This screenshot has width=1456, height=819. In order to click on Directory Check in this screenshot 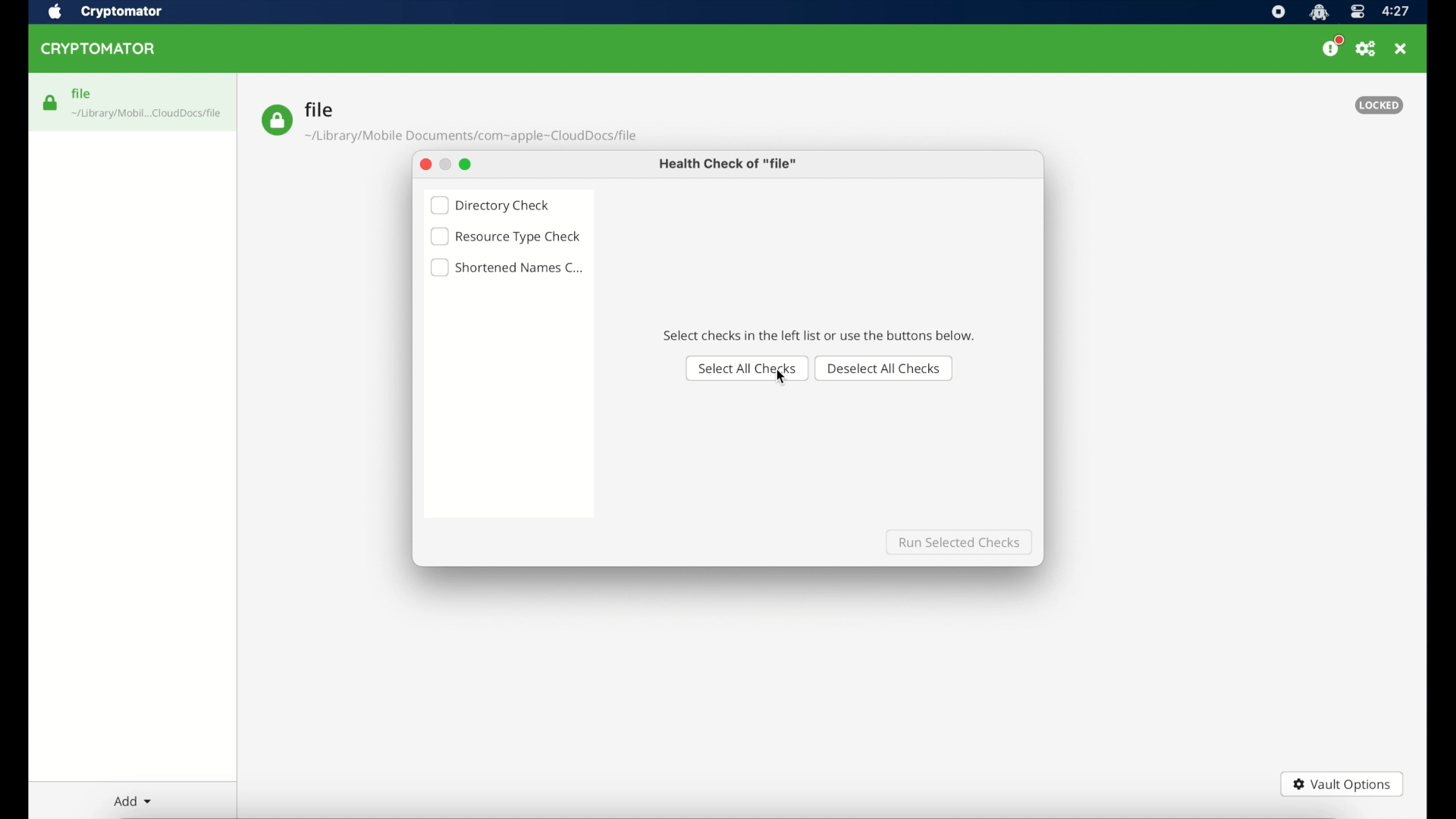, I will do `click(494, 204)`.